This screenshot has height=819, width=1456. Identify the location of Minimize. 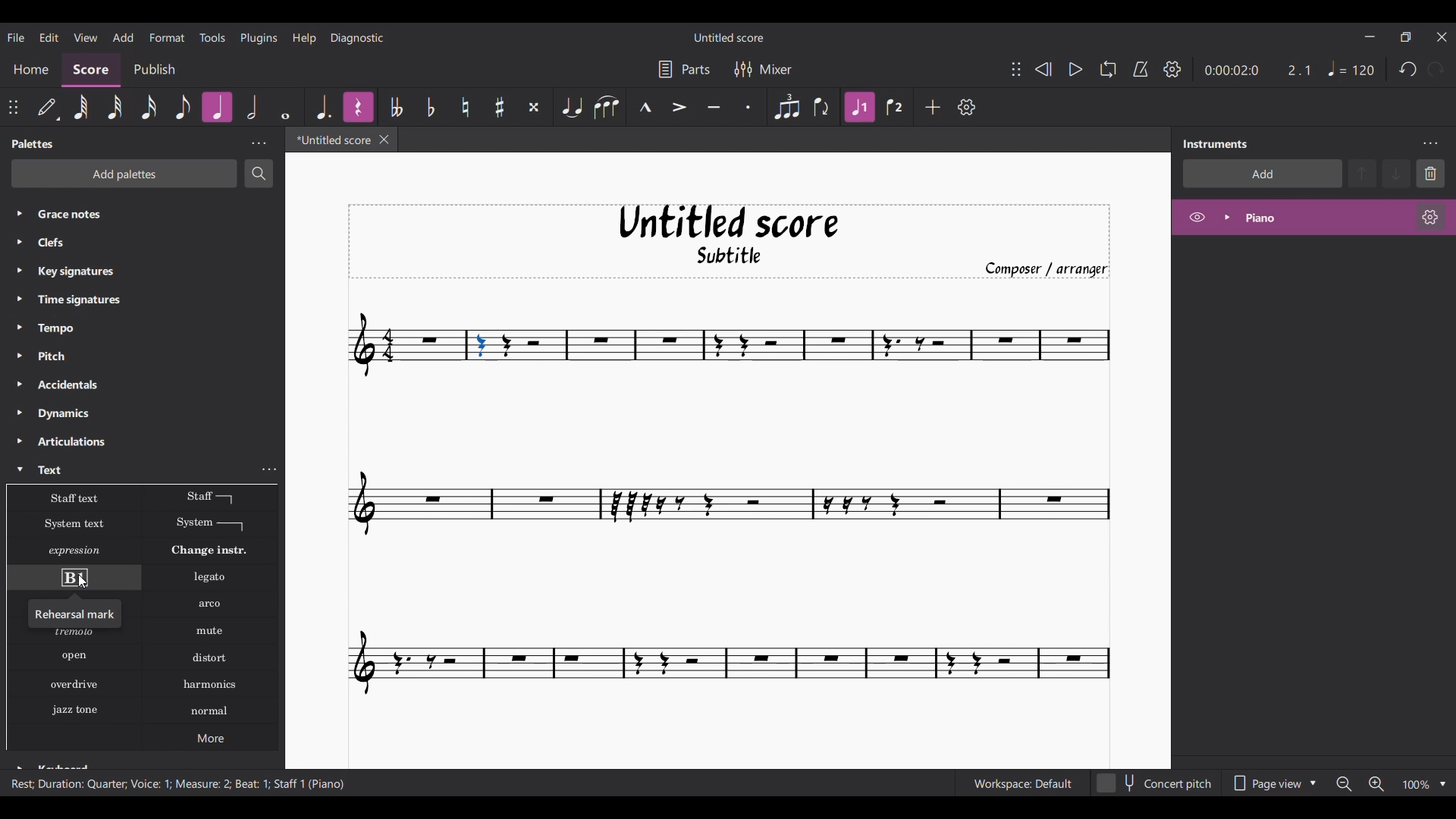
(1370, 36).